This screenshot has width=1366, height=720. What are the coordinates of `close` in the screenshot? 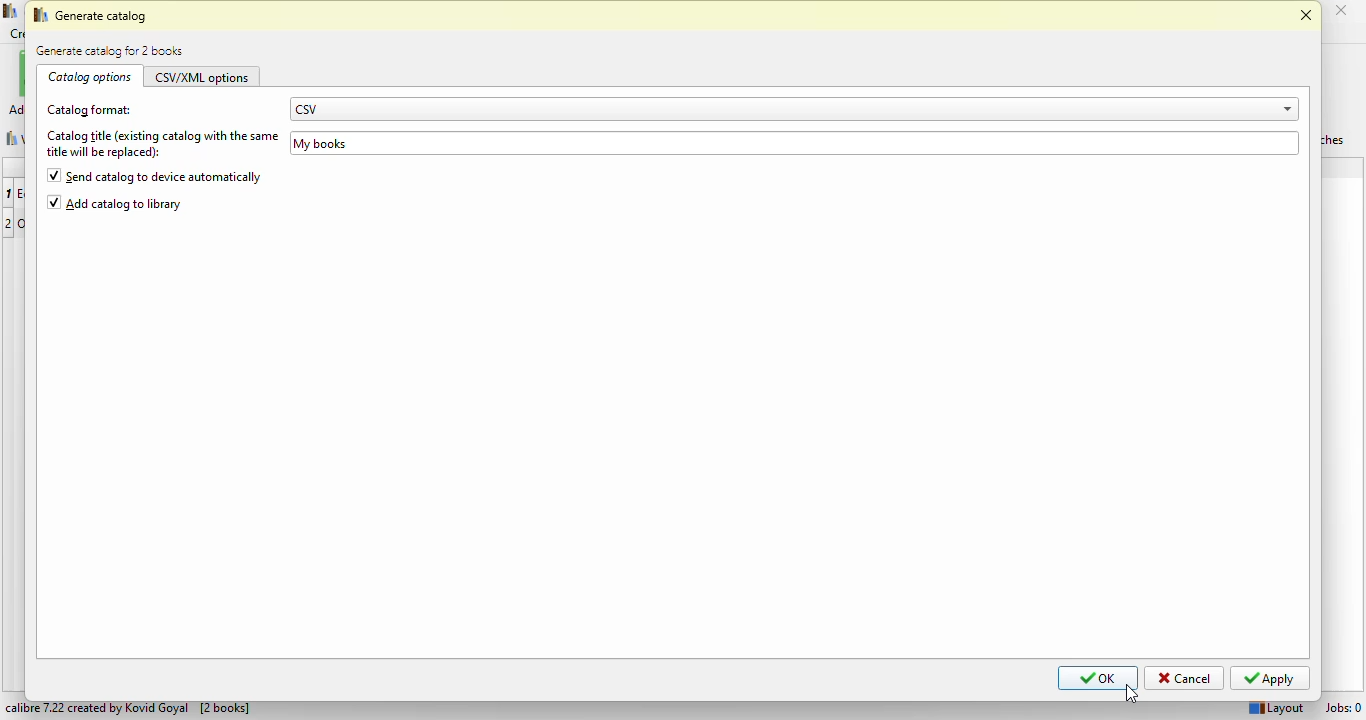 It's located at (1307, 14).